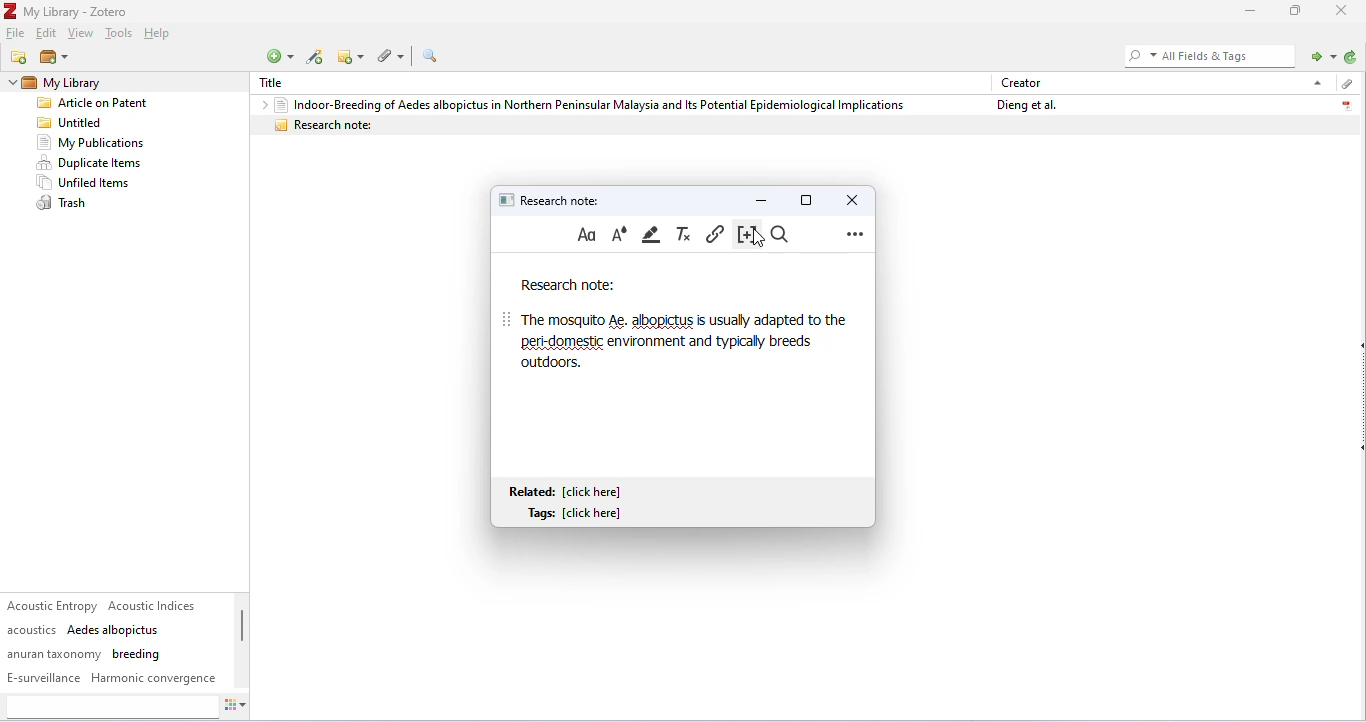  What do you see at coordinates (48, 34) in the screenshot?
I see `edit` at bounding box center [48, 34].